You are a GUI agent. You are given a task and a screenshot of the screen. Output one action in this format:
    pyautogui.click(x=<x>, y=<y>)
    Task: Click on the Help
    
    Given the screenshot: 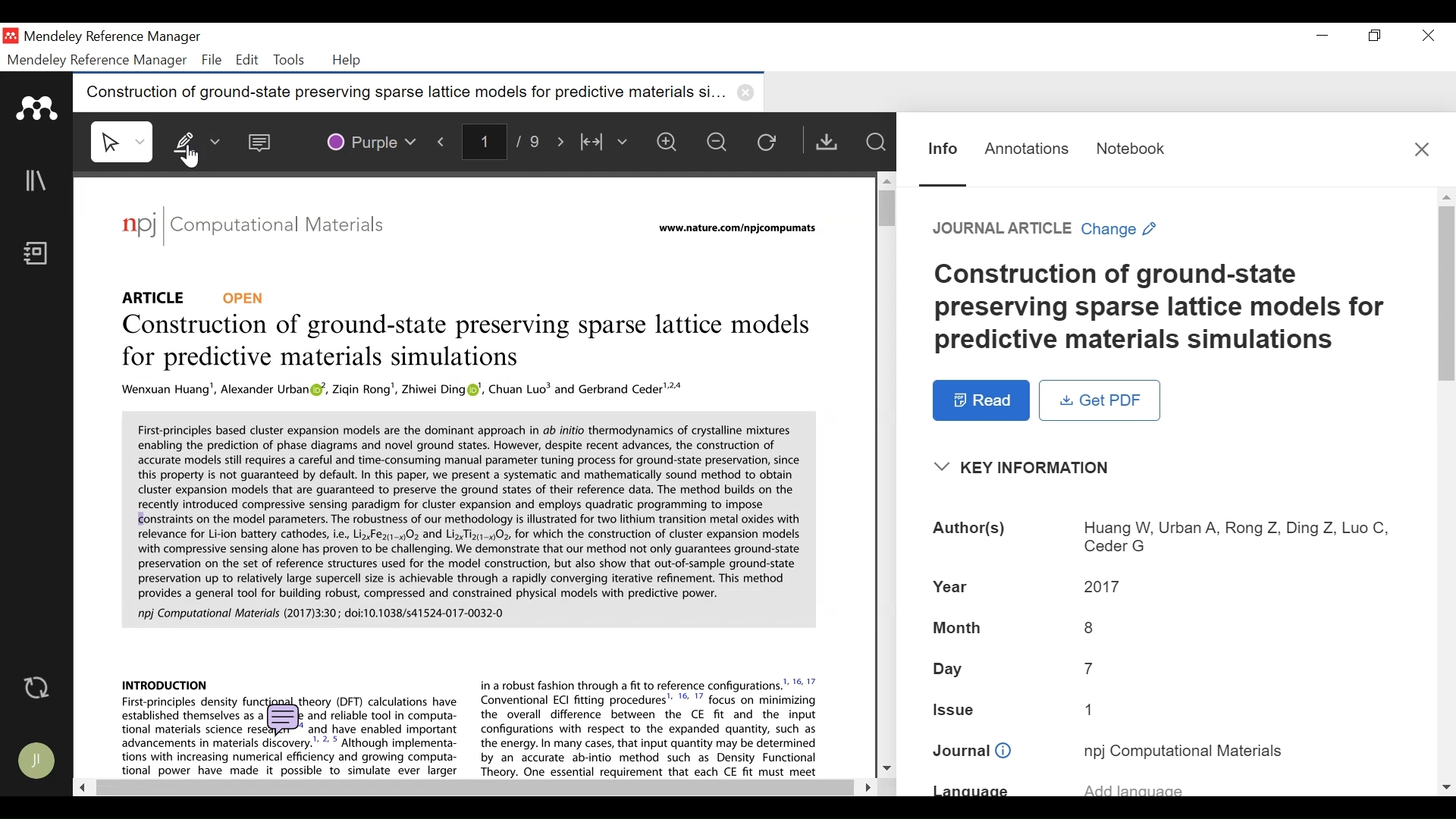 What is the action you would take?
    pyautogui.click(x=348, y=61)
    